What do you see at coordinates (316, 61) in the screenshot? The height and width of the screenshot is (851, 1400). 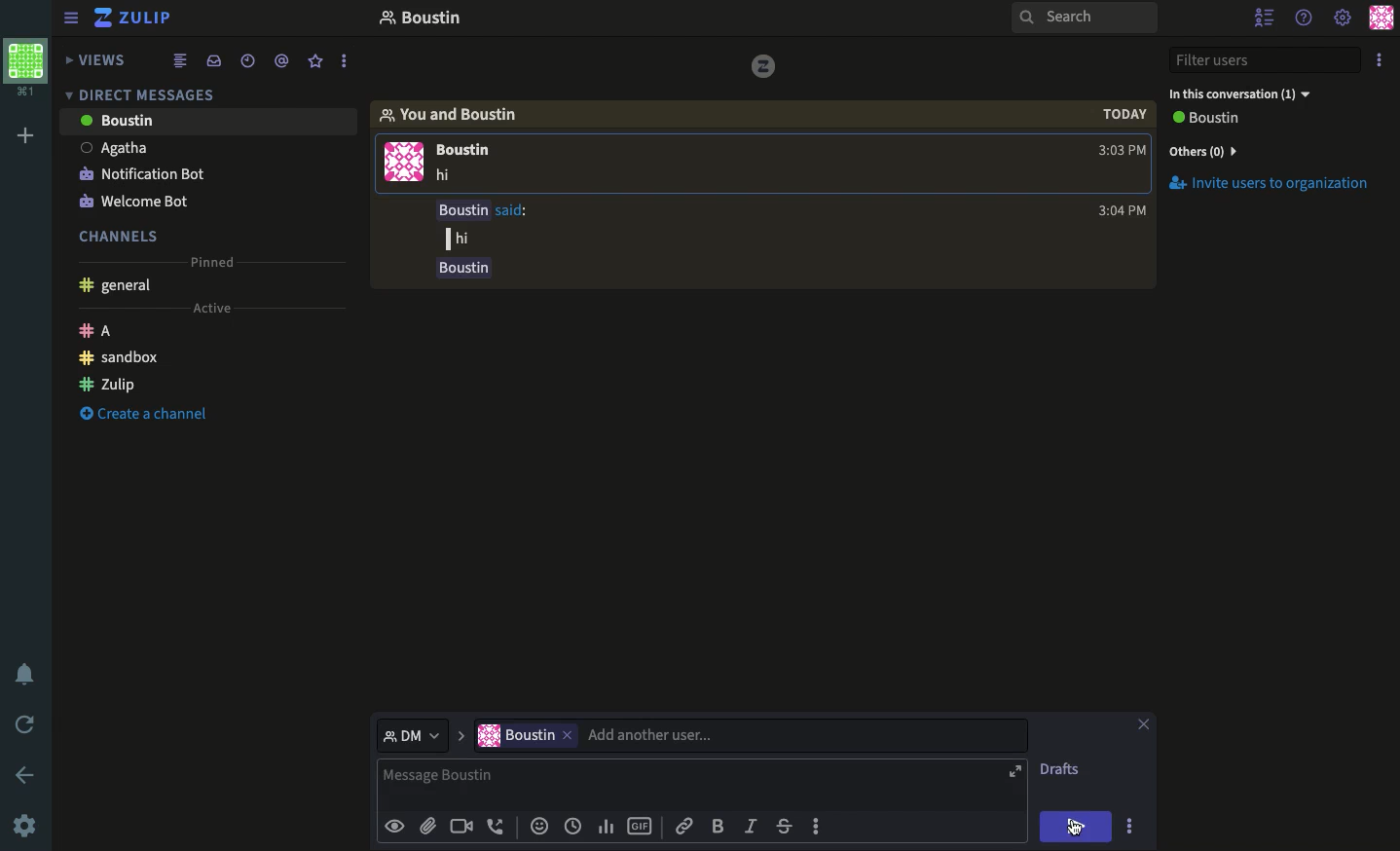 I see `Favorites` at bounding box center [316, 61].